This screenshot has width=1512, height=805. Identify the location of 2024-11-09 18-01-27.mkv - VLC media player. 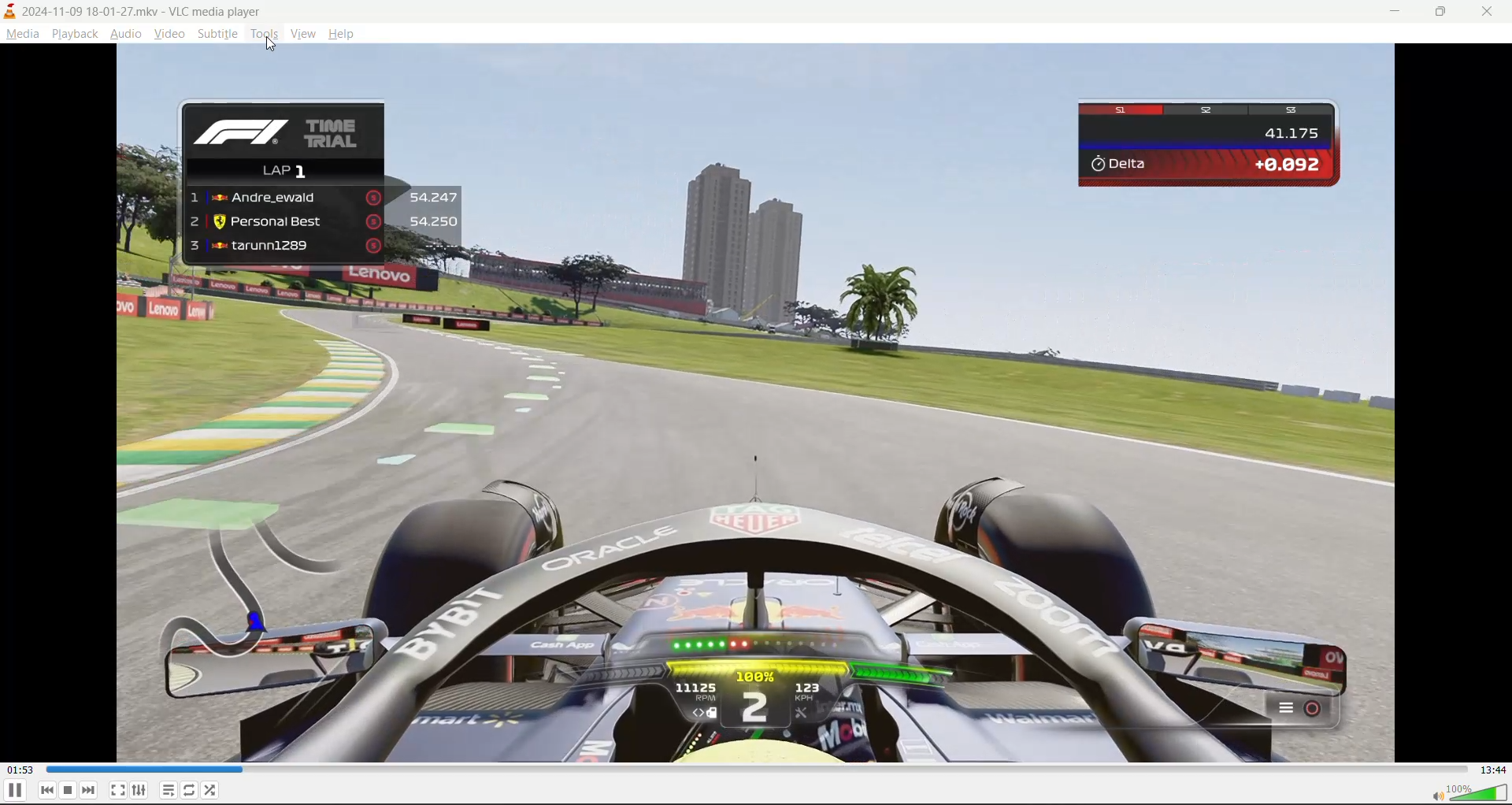
(167, 9).